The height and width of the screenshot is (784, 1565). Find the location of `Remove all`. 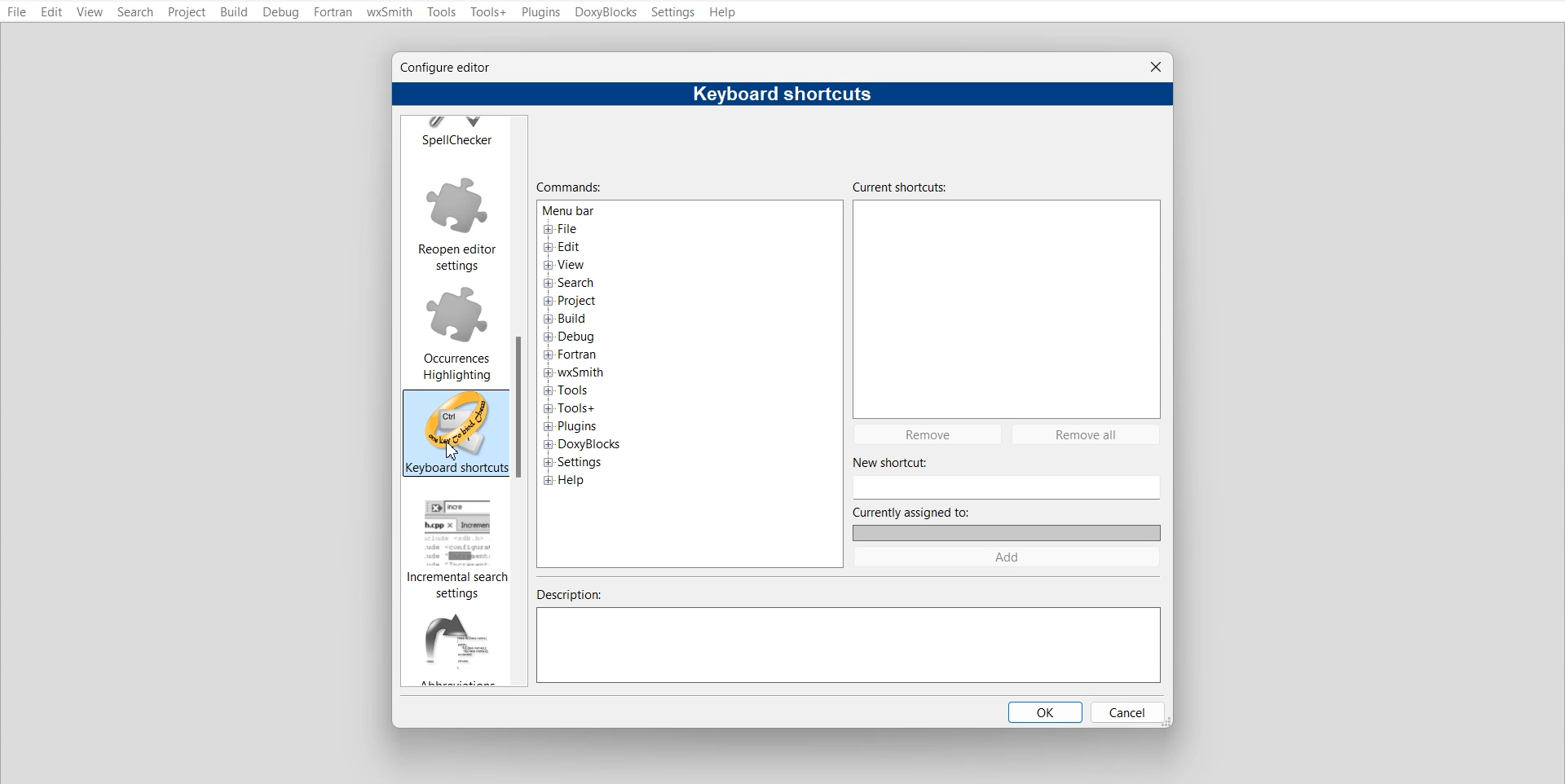

Remove all is located at coordinates (1087, 434).